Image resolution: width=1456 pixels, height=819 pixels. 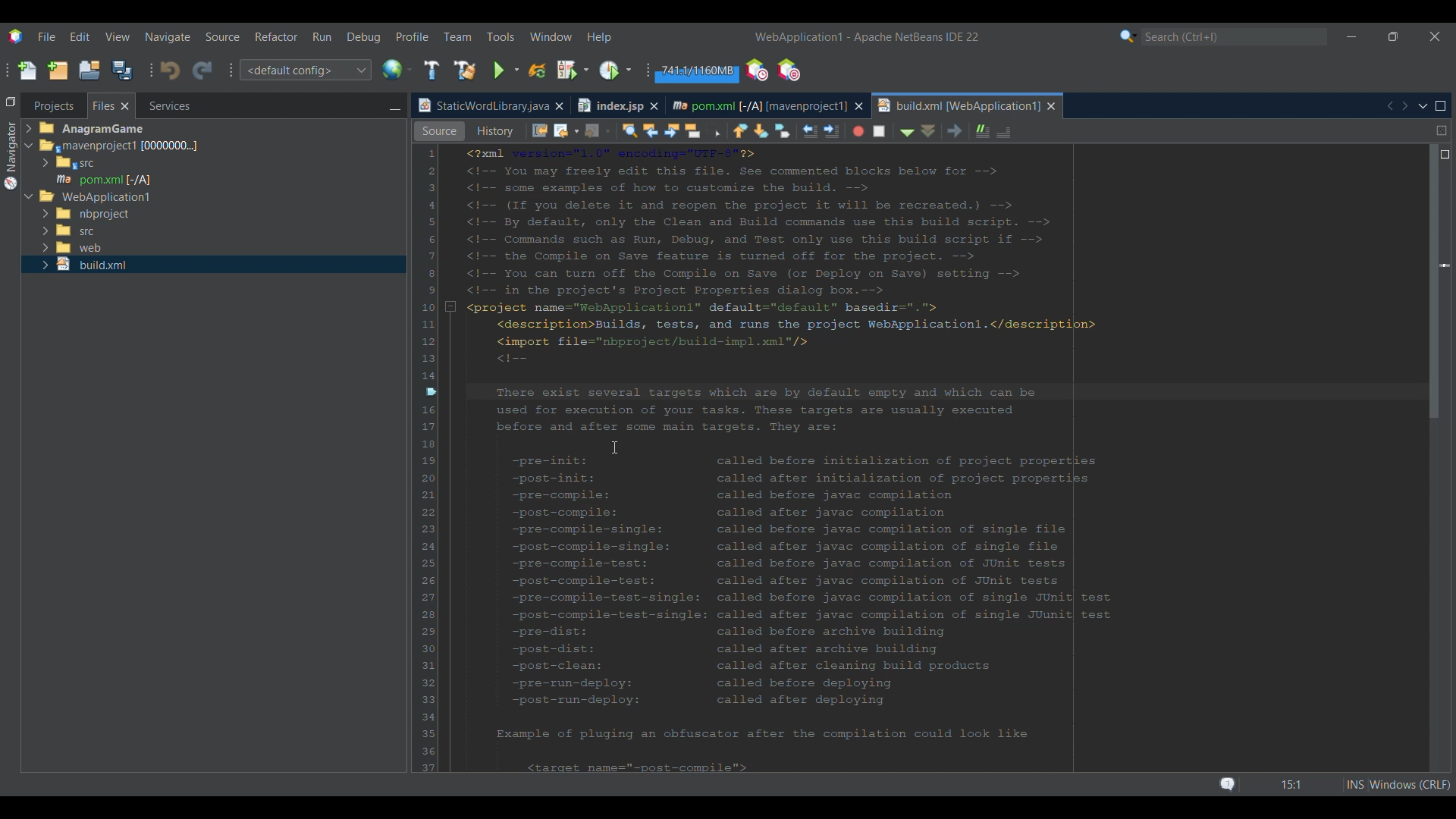 What do you see at coordinates (364, 37) in the screenshot?
I see `Debug menu` at bounding box center [364, 37].